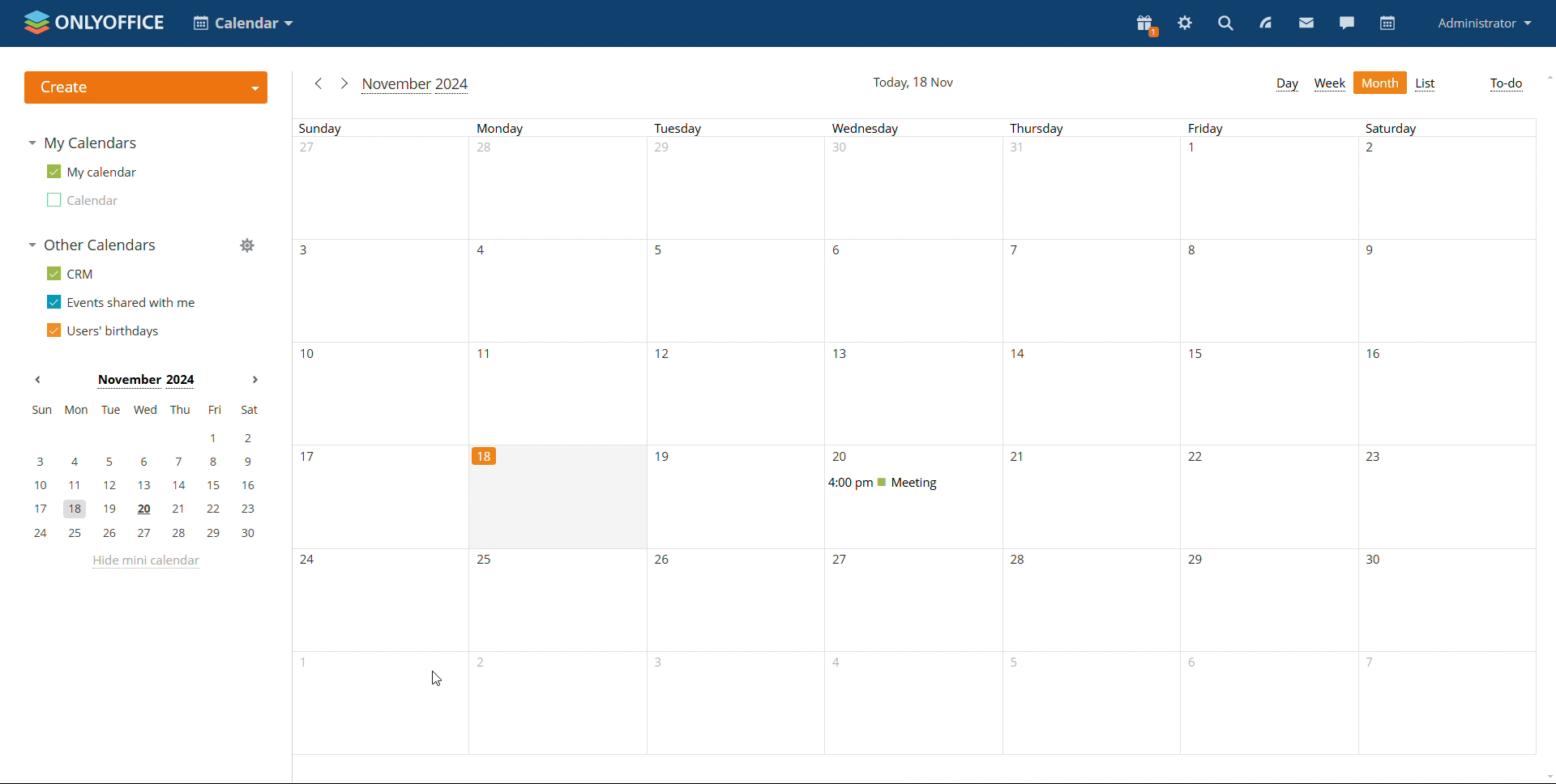  What do you see at coordinates (914, 83) in the screenshot?
I see `current date` at bounding box center [914, 83].